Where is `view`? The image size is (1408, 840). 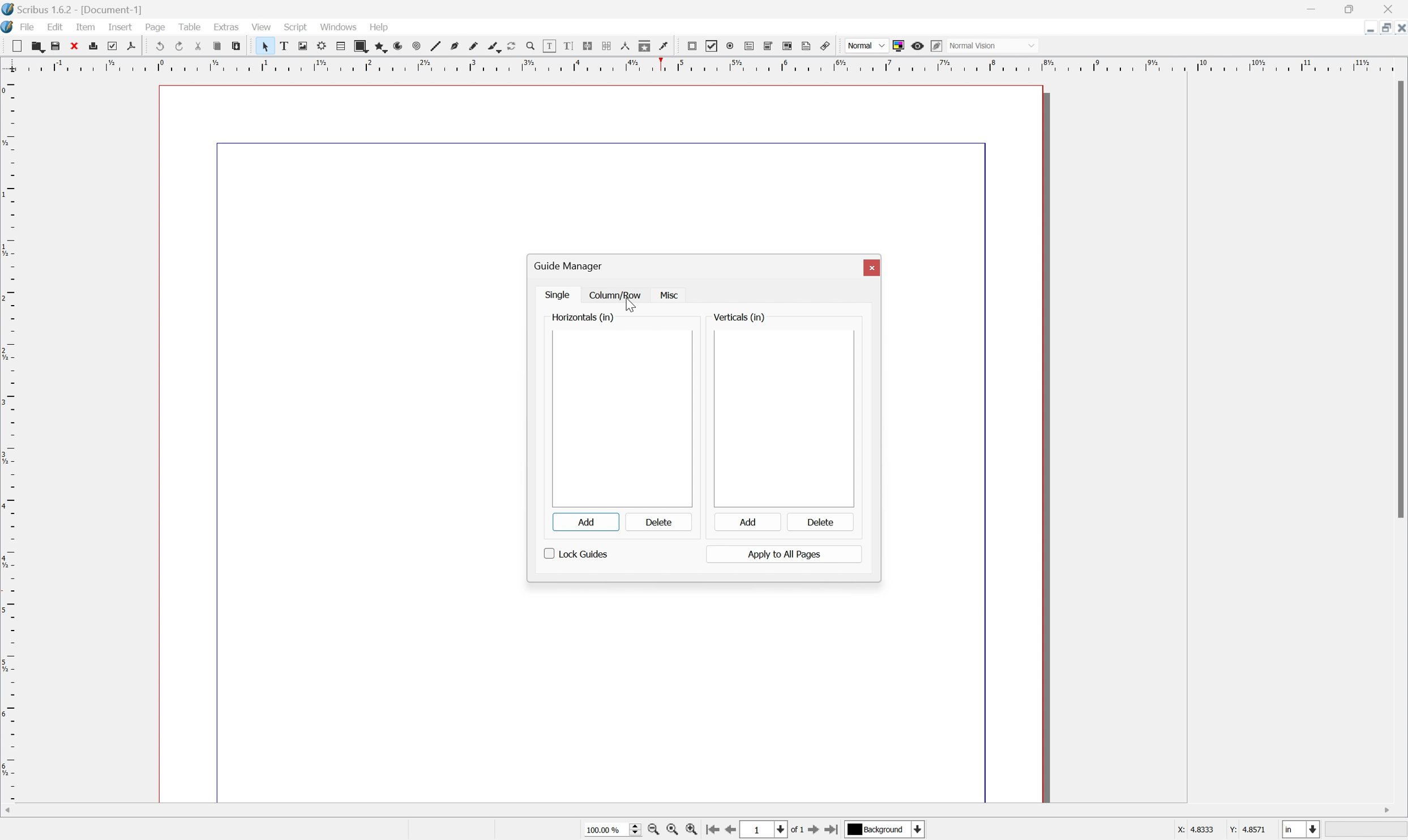
view is located at coordinates (264, 28).